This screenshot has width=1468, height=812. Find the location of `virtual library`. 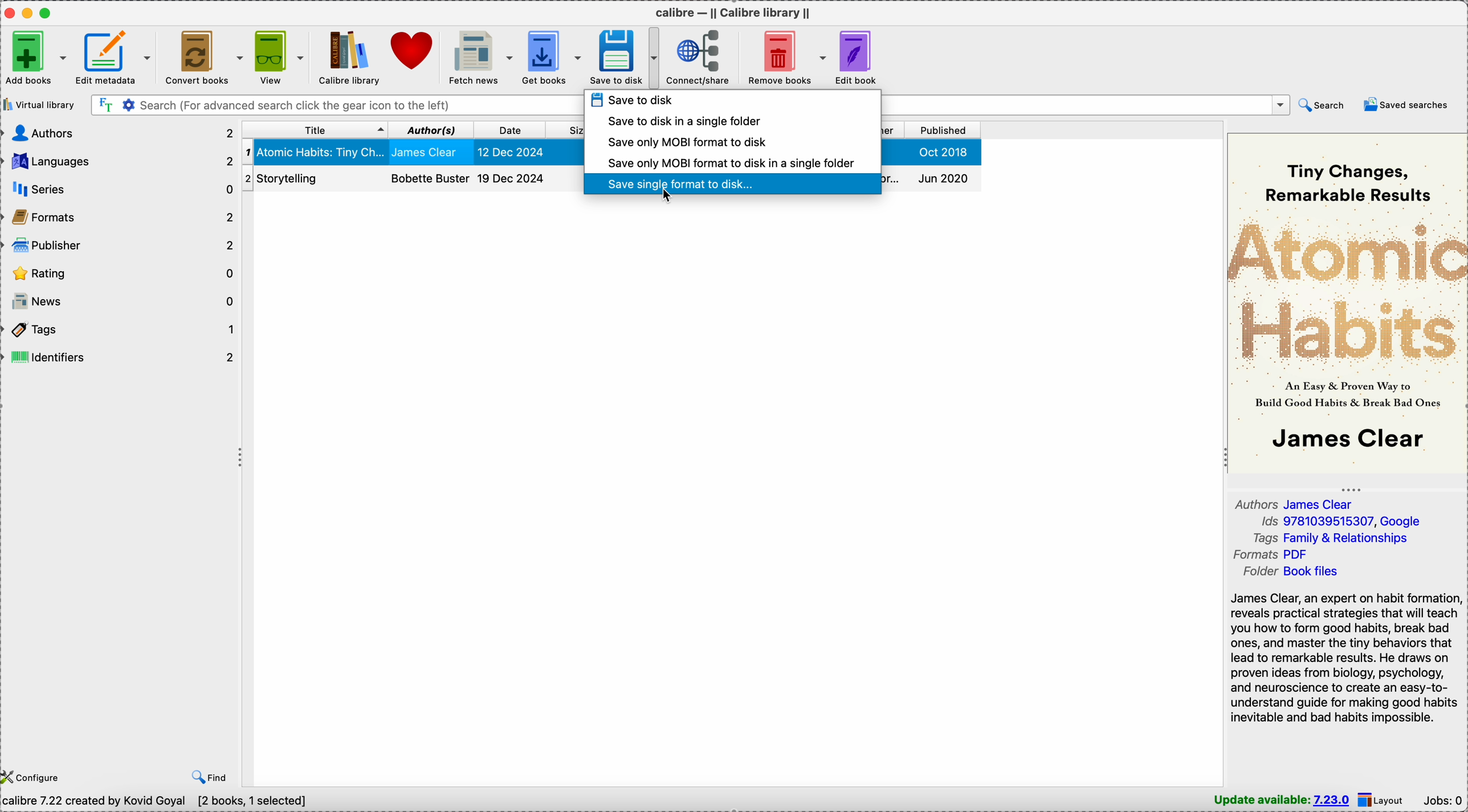

virtual library is located at coordinates (39, 104).